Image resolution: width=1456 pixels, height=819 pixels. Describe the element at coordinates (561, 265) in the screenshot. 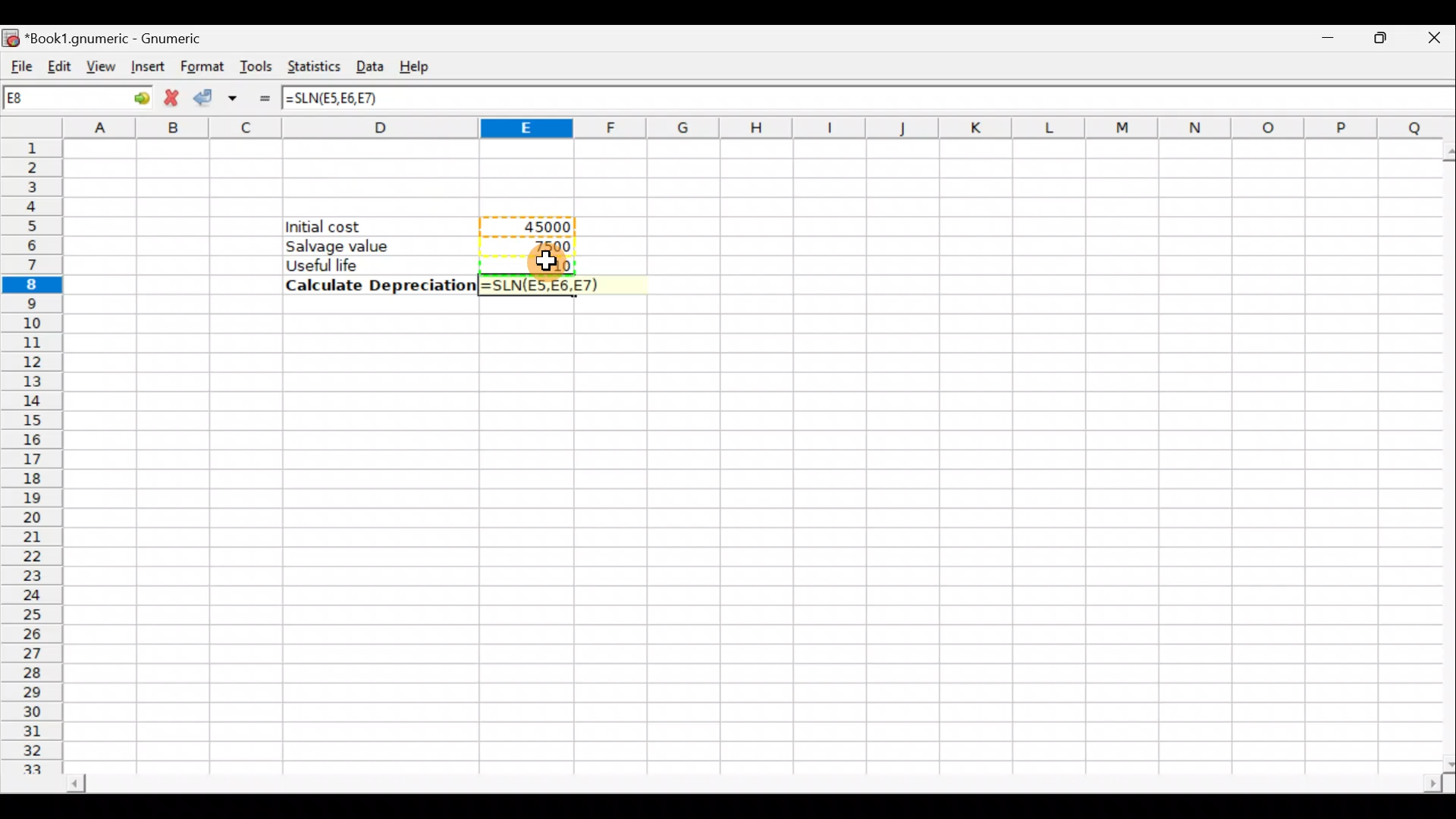

I see `Cursor hovering on cell E7` at that location.